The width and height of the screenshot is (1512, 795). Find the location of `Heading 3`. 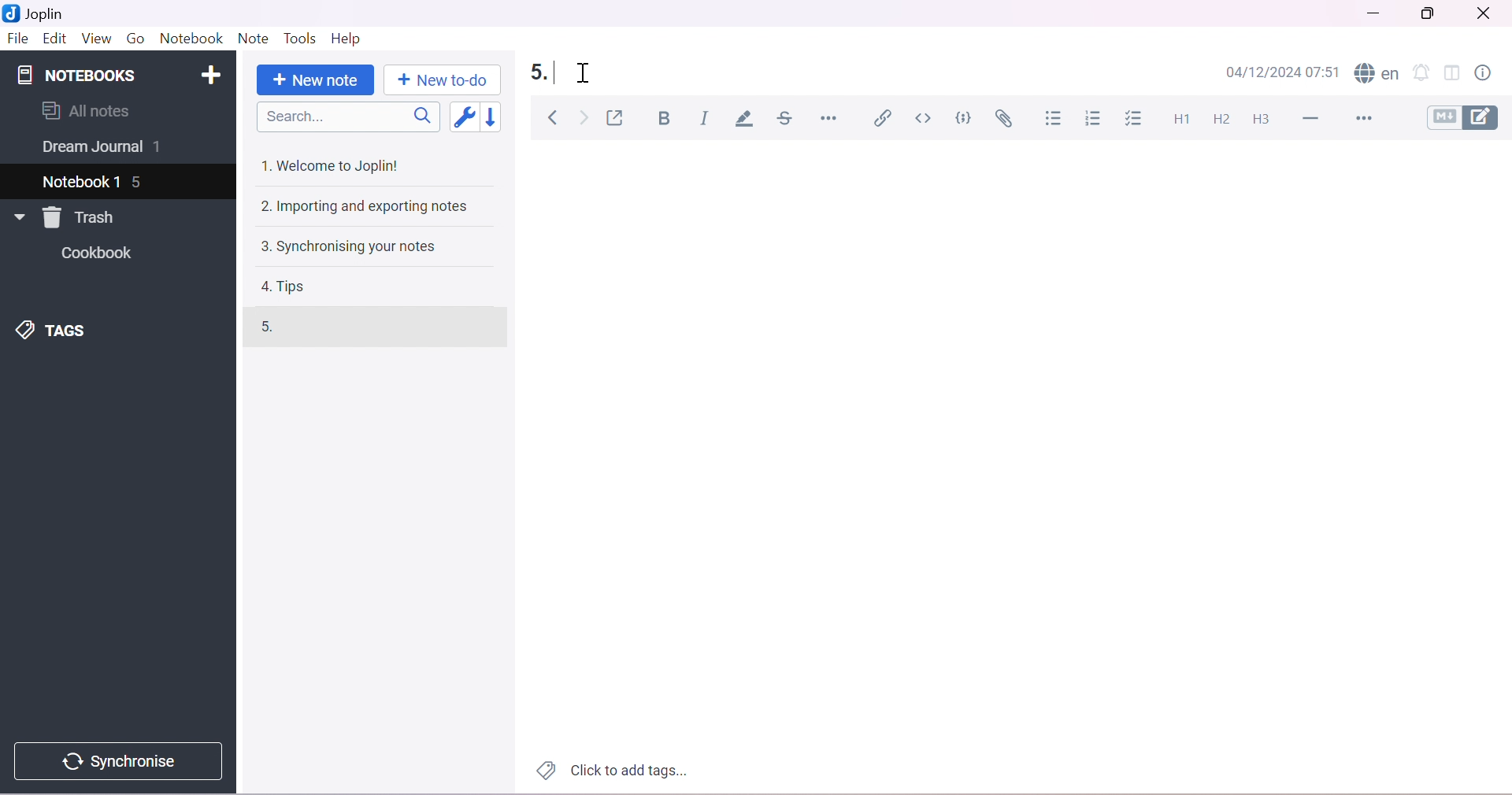

Heading 3 is located at coordinates (1262, 118).